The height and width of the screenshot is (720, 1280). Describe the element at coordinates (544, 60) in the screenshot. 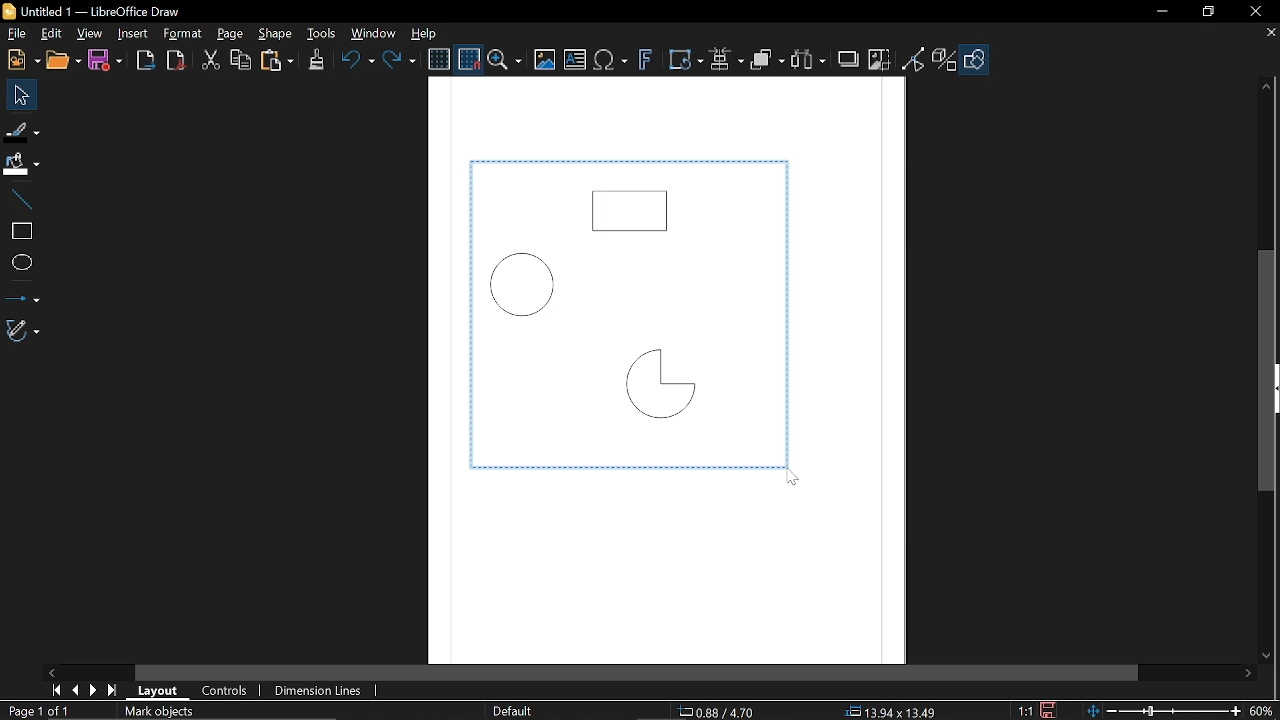

I see `Insert image` at that location.